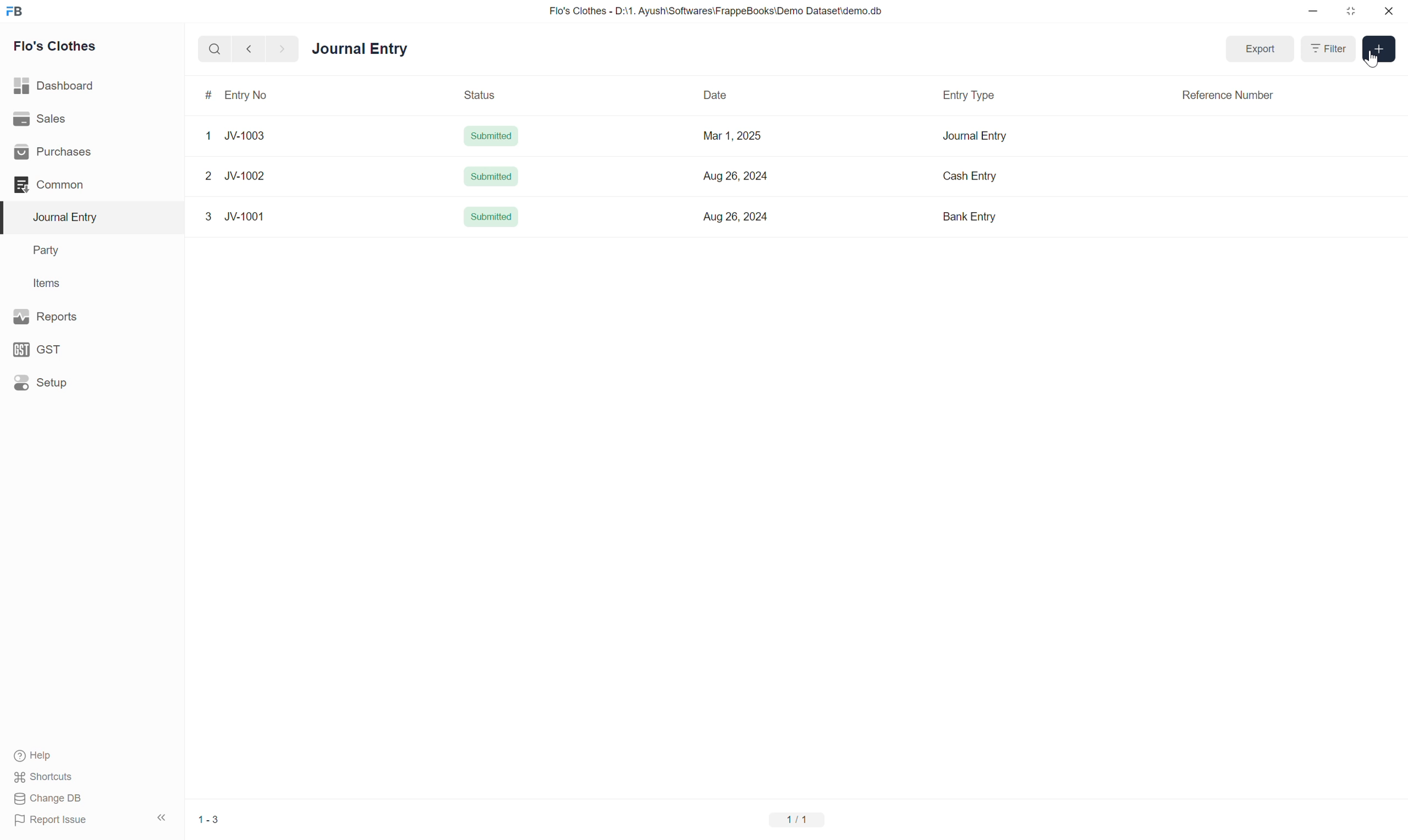  I want to click on Common, so click(50, 185).